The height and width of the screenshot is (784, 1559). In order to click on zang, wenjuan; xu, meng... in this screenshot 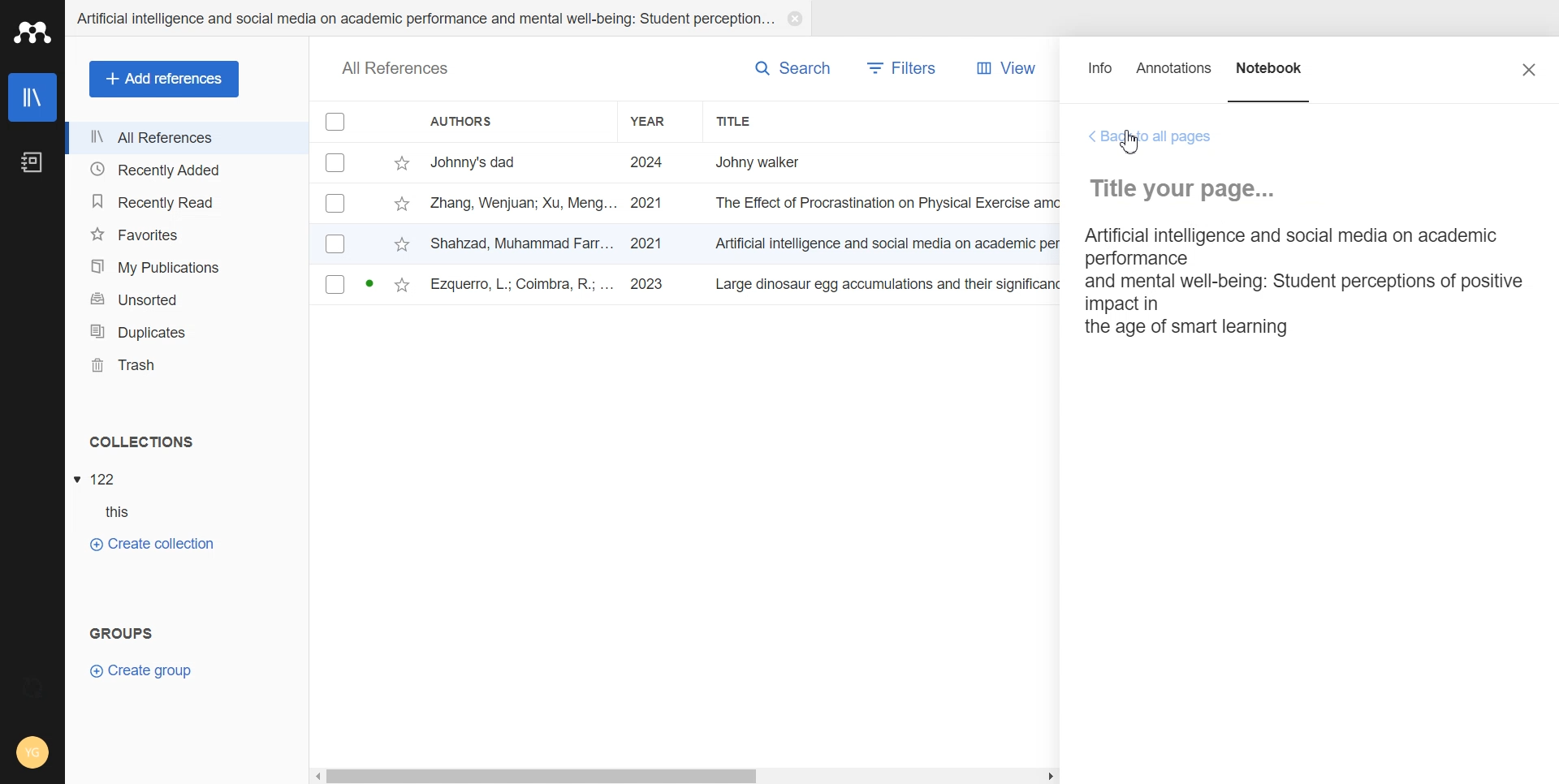, I will do `click(524, 202)`.